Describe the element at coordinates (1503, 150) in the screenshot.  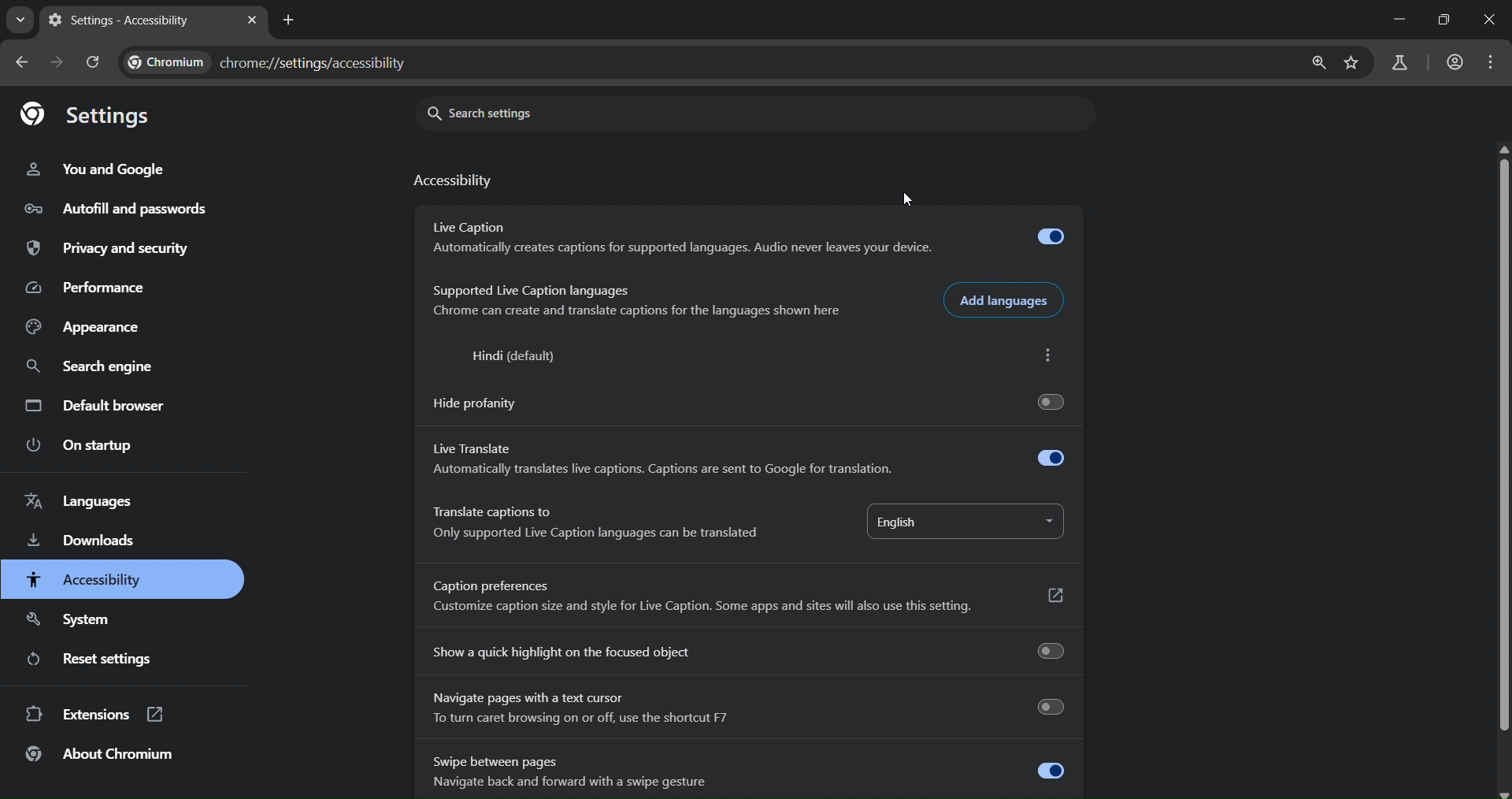
I see `scroll up` at that location.